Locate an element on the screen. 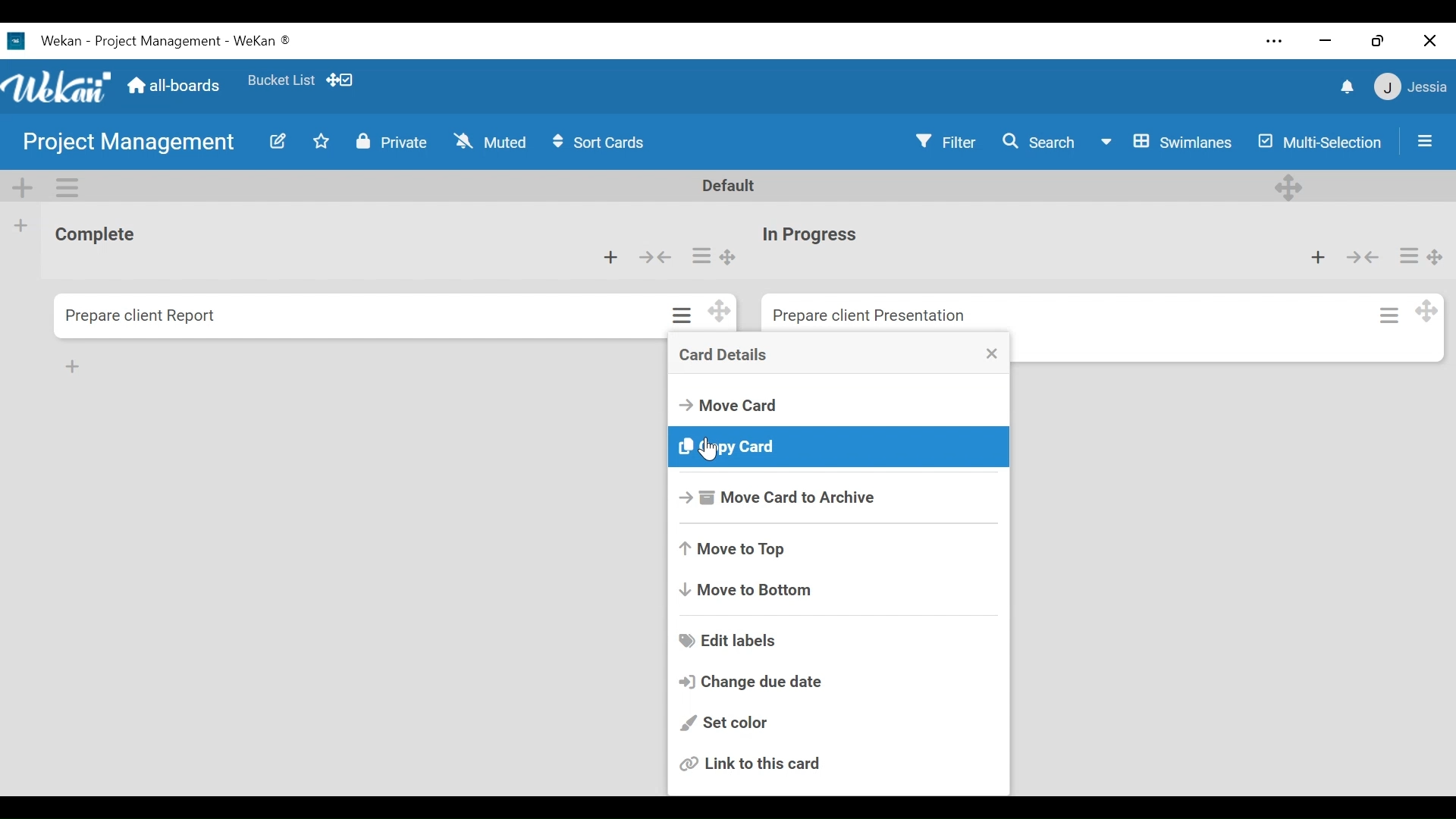  Desktop drag handle is located at coordinates (730, 256).